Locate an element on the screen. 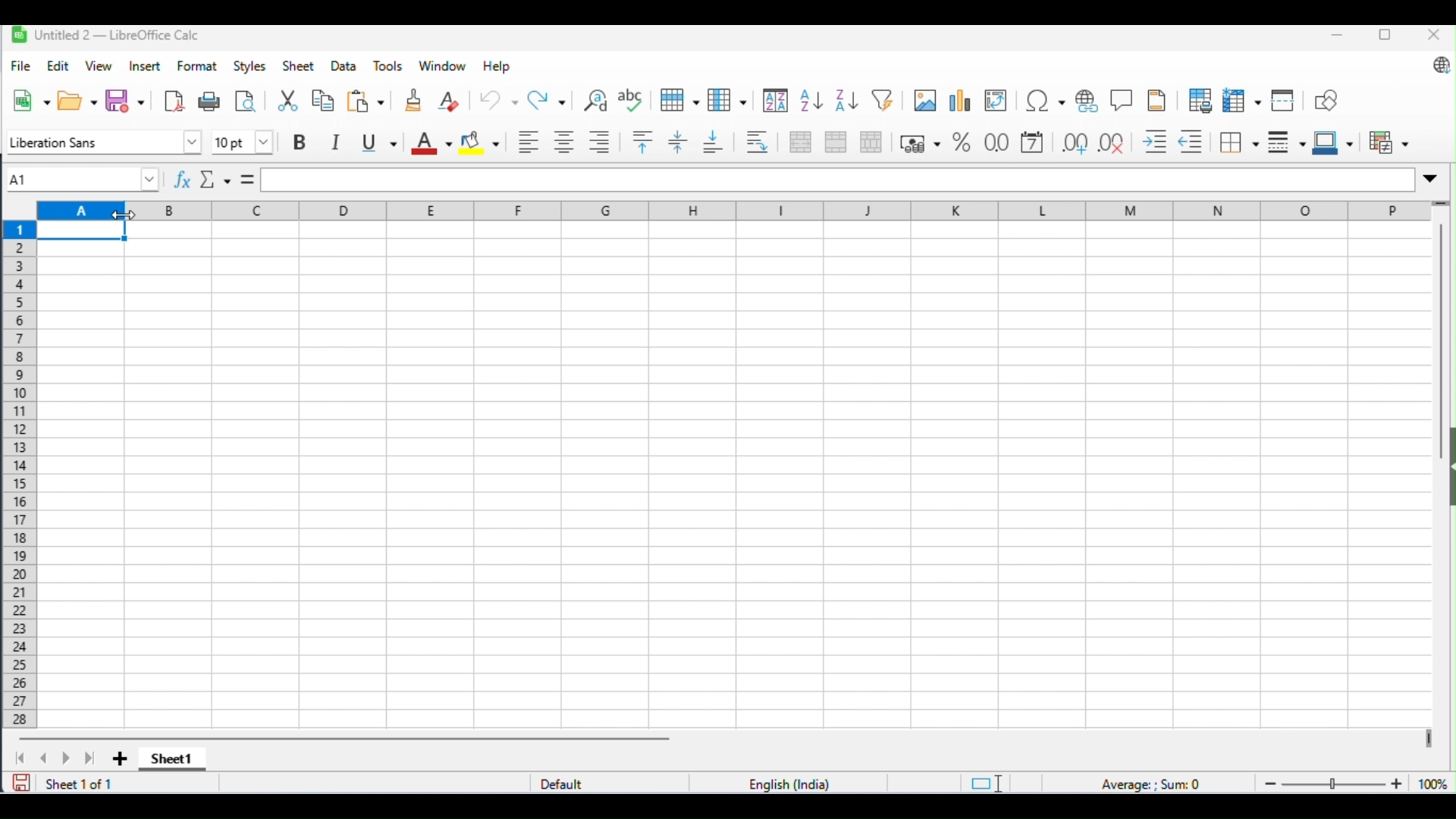  cut is located at coordinates (287, 100).